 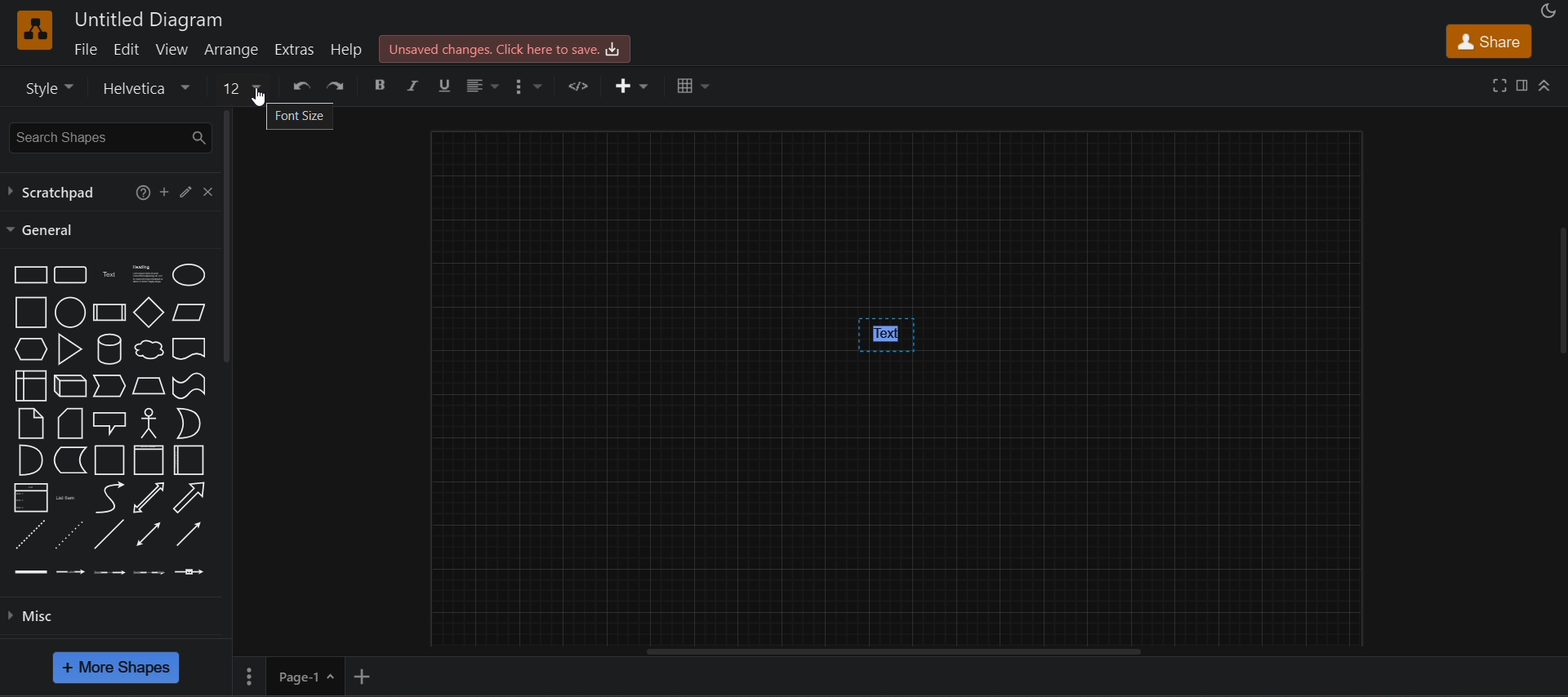 What do you see at coordinates (1544, 85) in the screenshot?
I see `collapase/expand` at bounding box center [1544, 85].